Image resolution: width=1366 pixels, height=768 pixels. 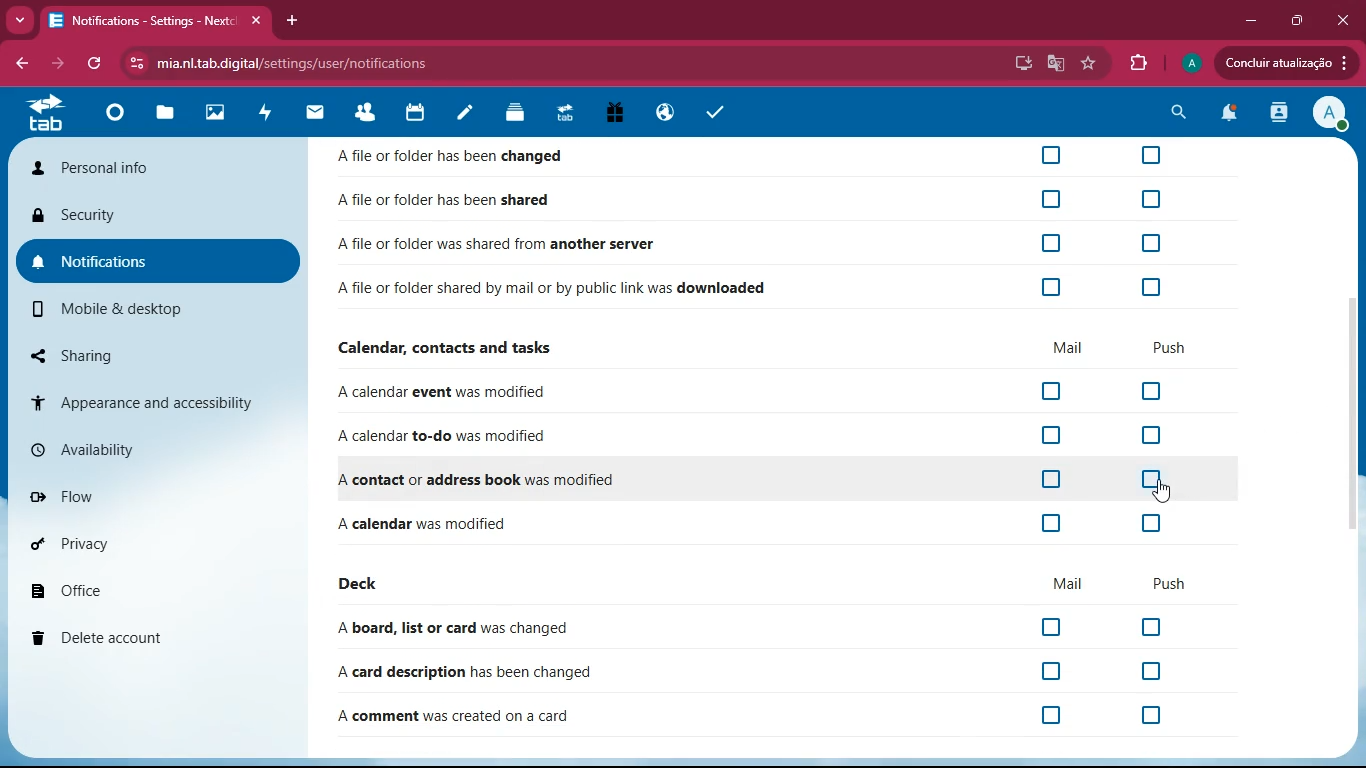 What do you see at coordinates (1152, 287) in the screenshot?
I see `off` at bounding box center [1152, 287].